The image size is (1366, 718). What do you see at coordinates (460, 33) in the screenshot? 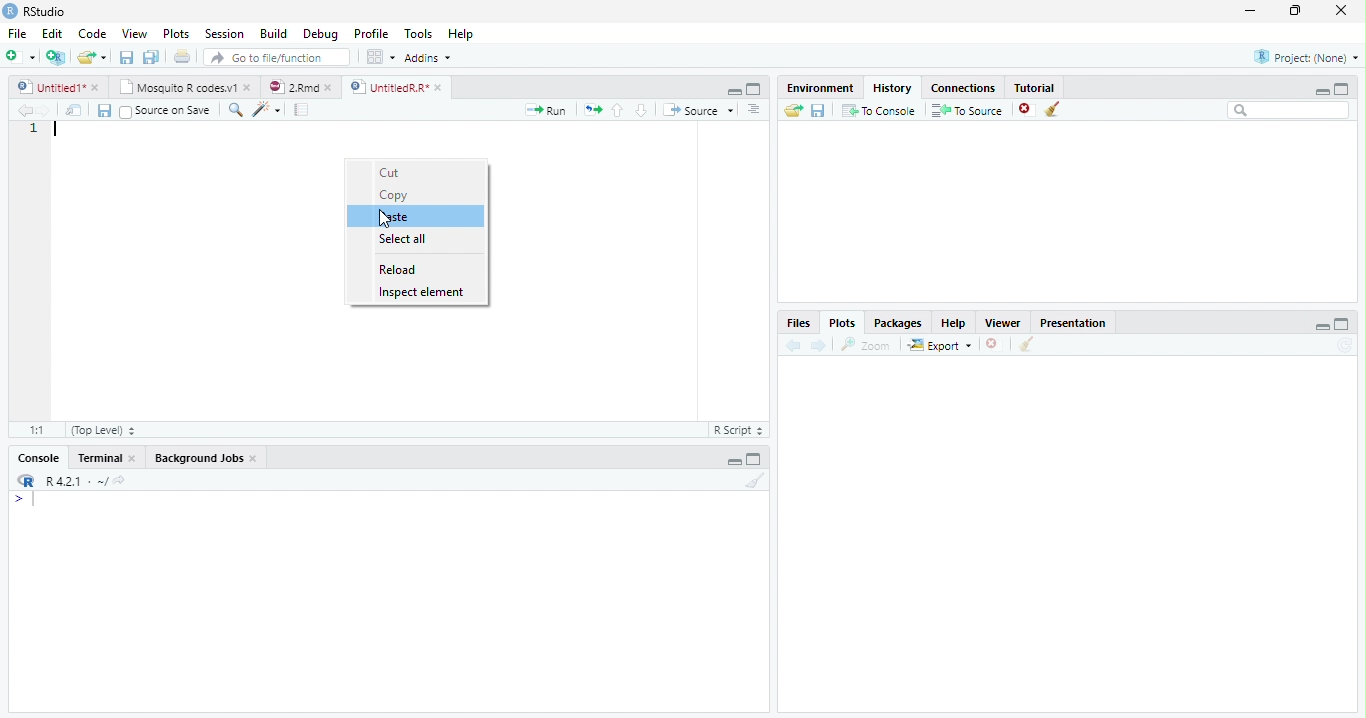
I see `Help` at bounding box center [460, 33].